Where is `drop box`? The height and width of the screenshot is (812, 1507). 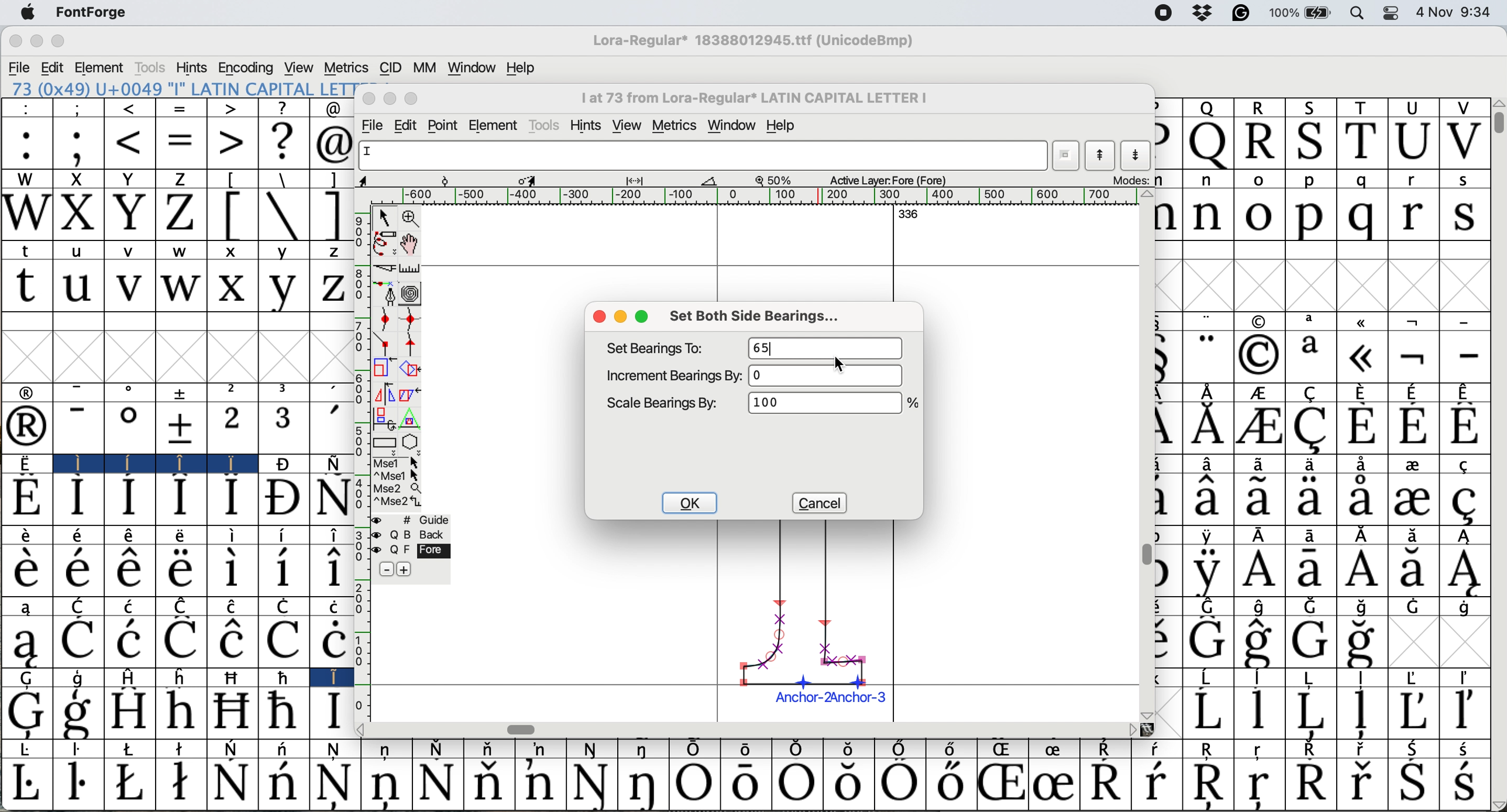
drop box is located at coordinates (1203, 14).